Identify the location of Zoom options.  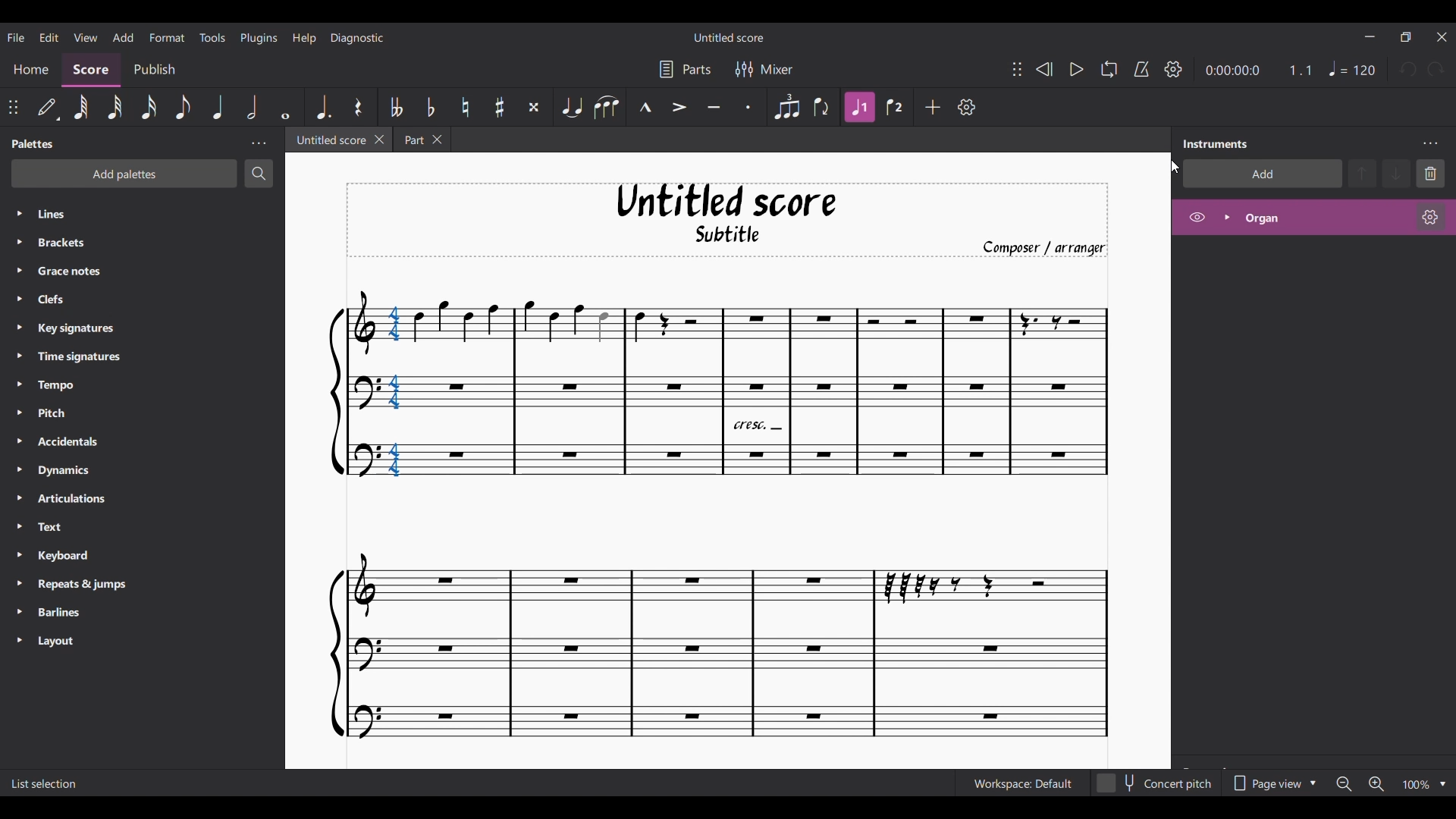
(1443, 785).